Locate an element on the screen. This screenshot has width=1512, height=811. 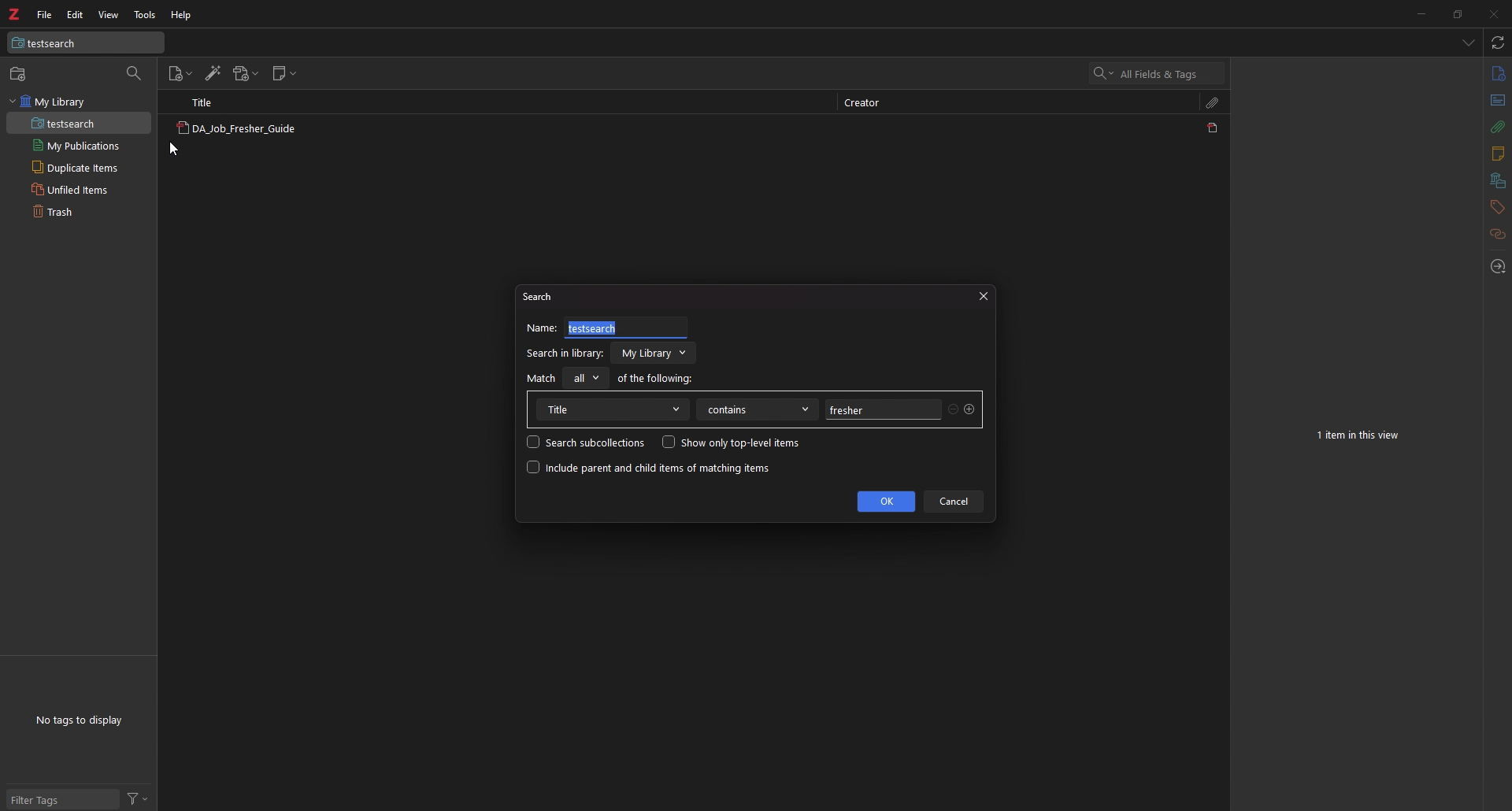
new item is located at coordinates (181, 74).